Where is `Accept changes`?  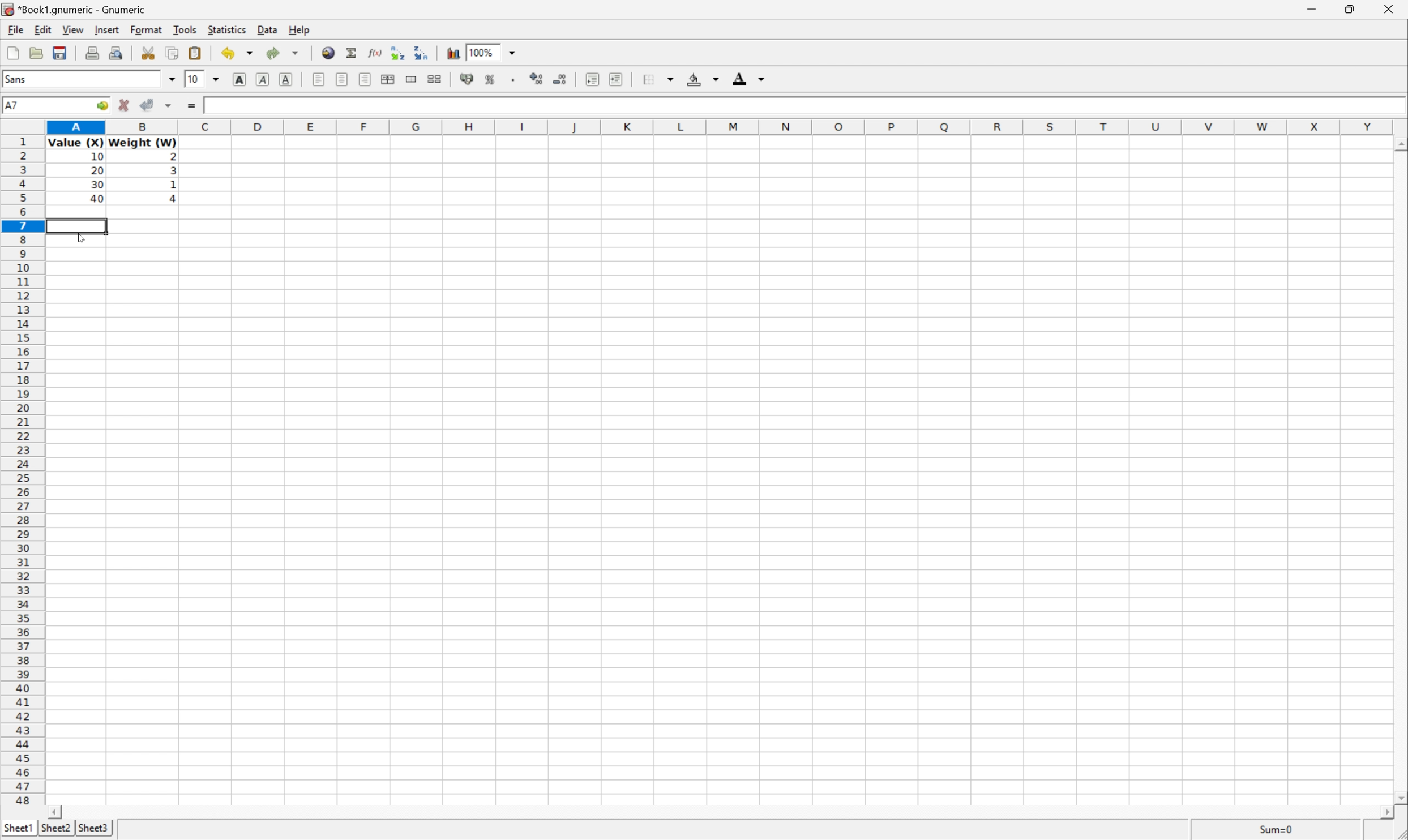 Accept changes is located at coordinates (146, 105).